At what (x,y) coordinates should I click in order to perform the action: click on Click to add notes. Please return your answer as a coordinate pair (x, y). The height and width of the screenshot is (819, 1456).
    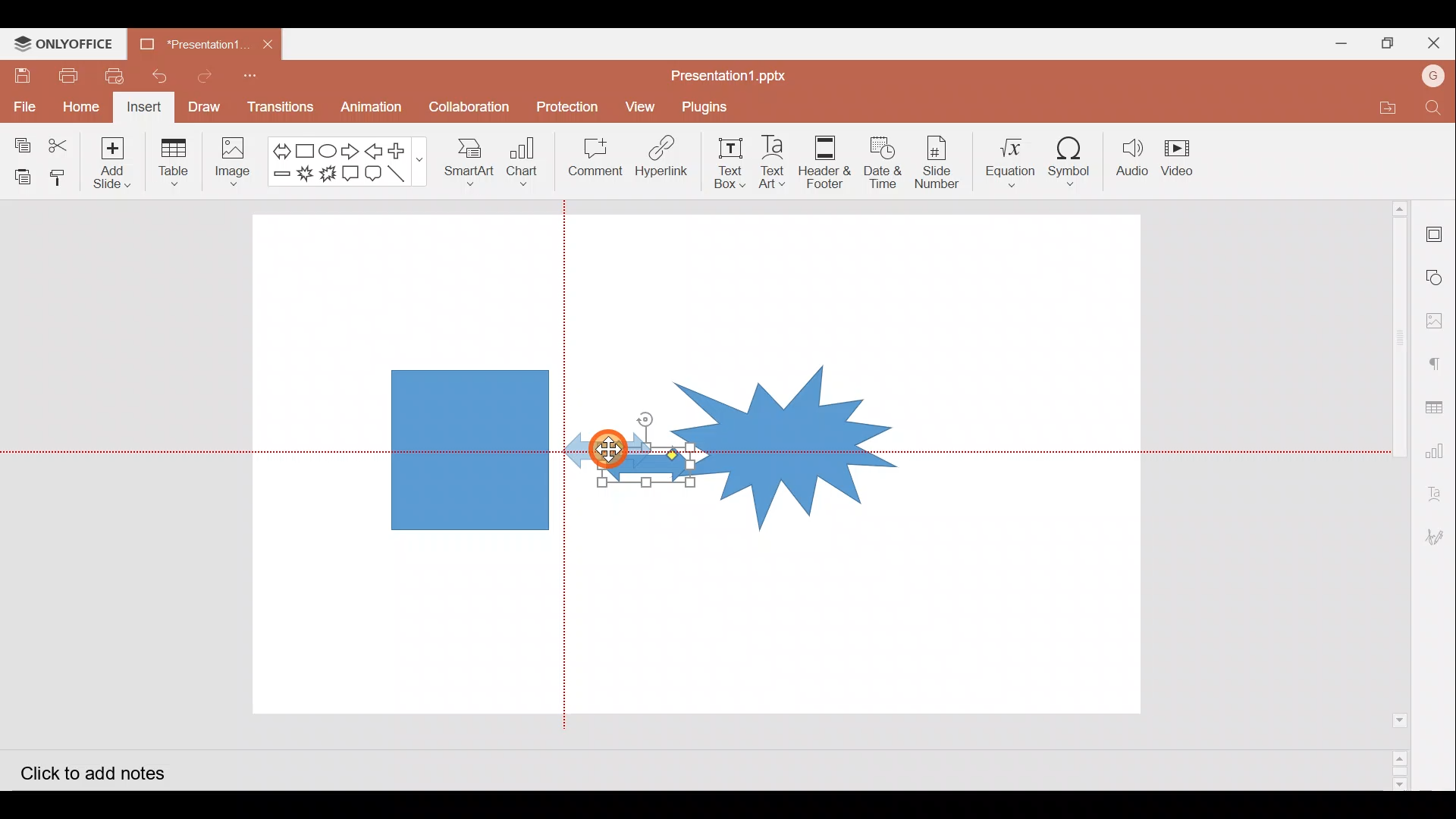
    Looking at the image, I should click on (89, 770).